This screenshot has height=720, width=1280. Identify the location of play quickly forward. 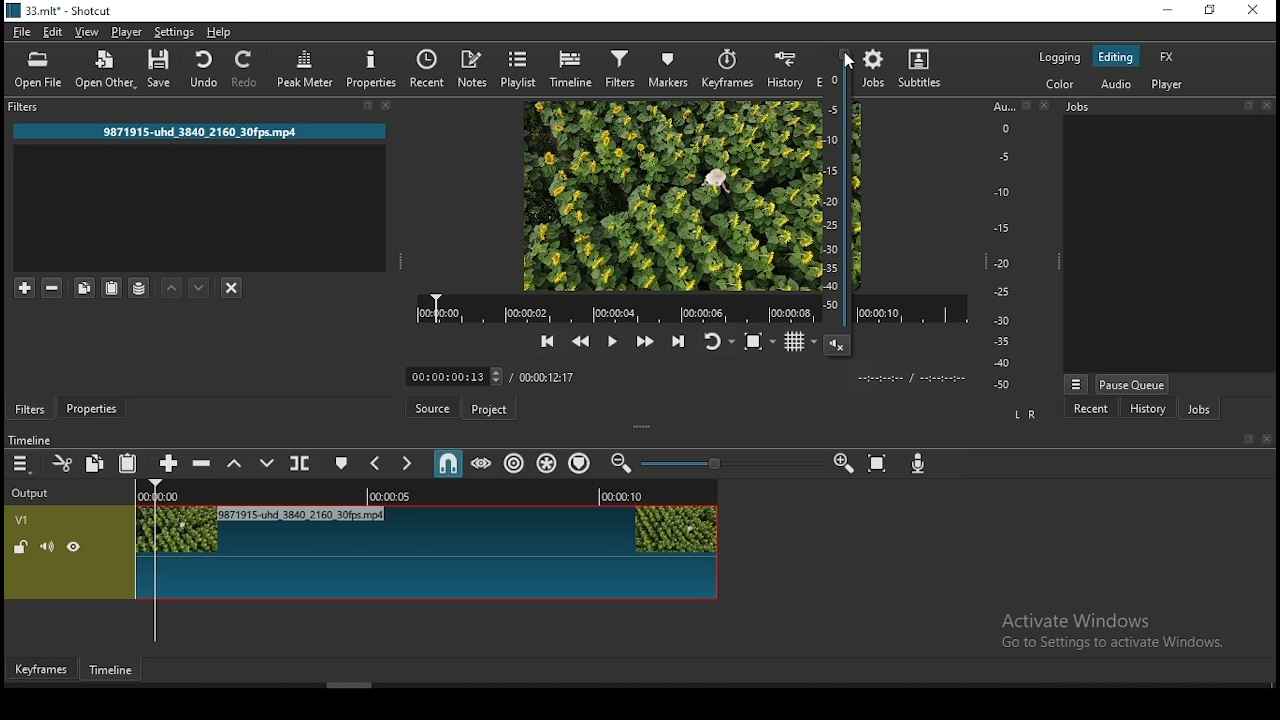
(643, 343).